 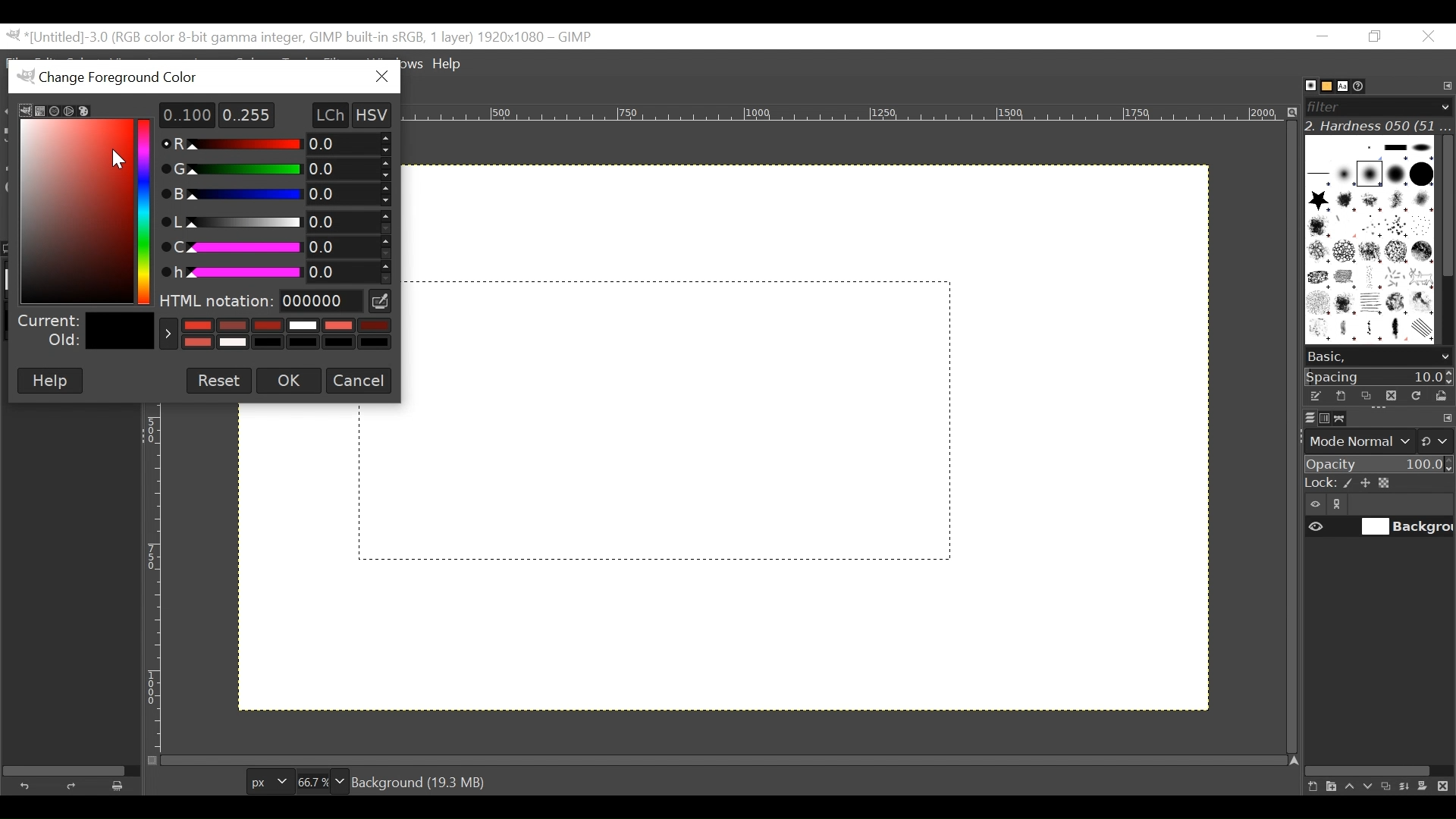 I want to click on Spacing, so click(x=1379, y=376).